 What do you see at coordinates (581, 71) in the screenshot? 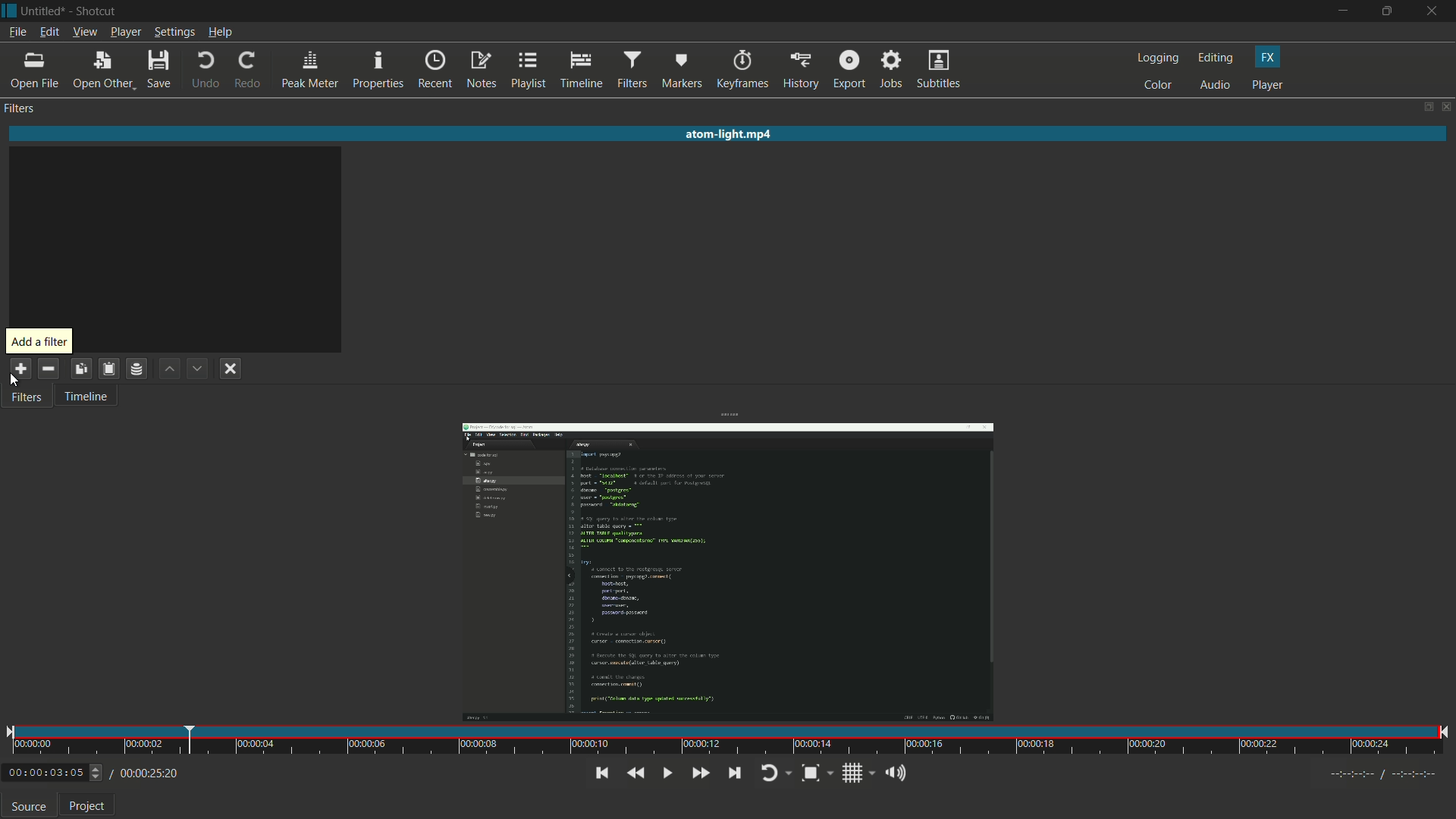
I see `timeline` at bounding box center [581, 71].